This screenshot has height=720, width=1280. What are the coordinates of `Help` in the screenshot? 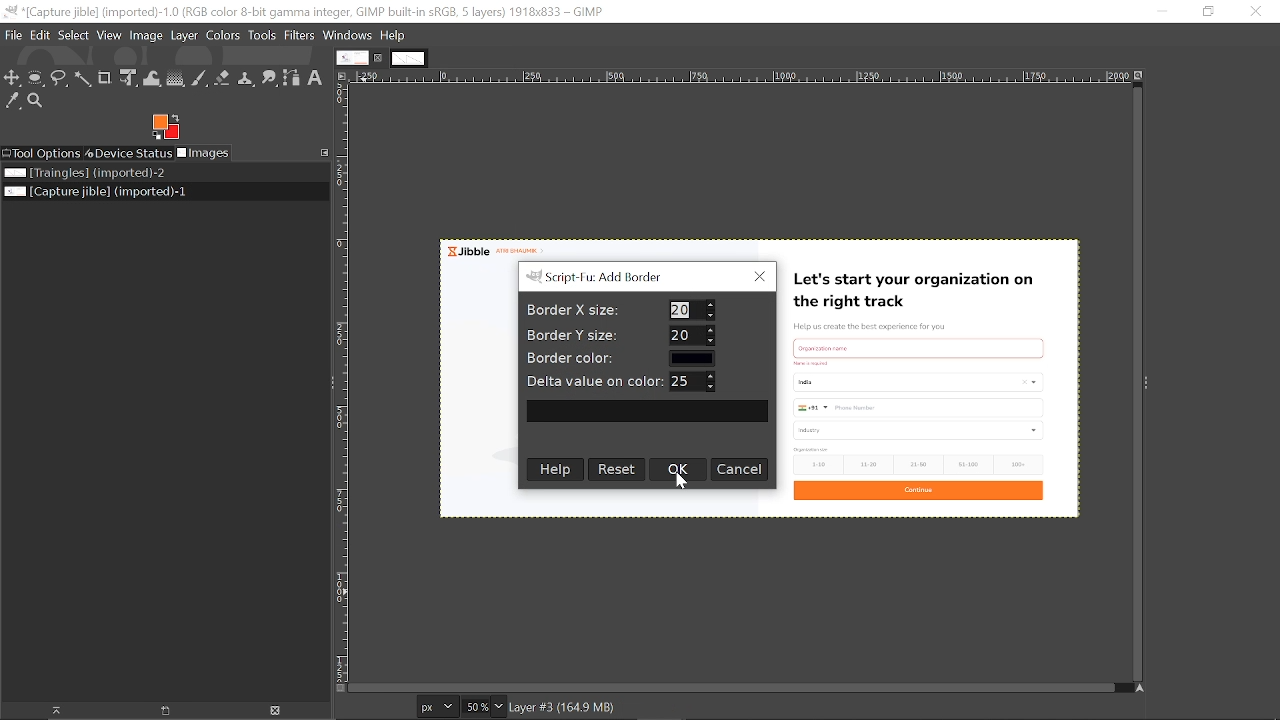 It's located at (393, 35).